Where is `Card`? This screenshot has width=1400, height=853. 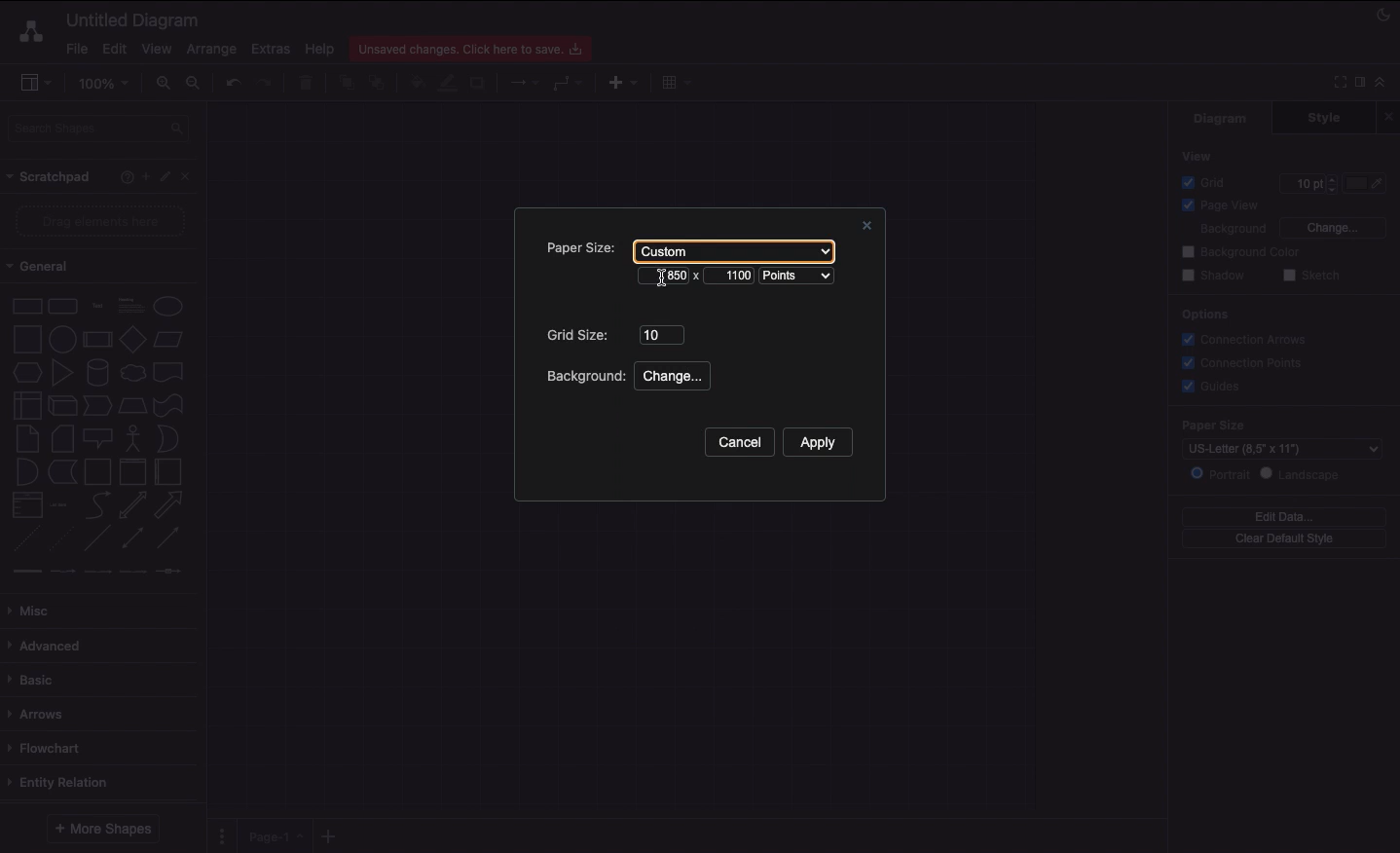
Card is located at coordinates (62, 438).